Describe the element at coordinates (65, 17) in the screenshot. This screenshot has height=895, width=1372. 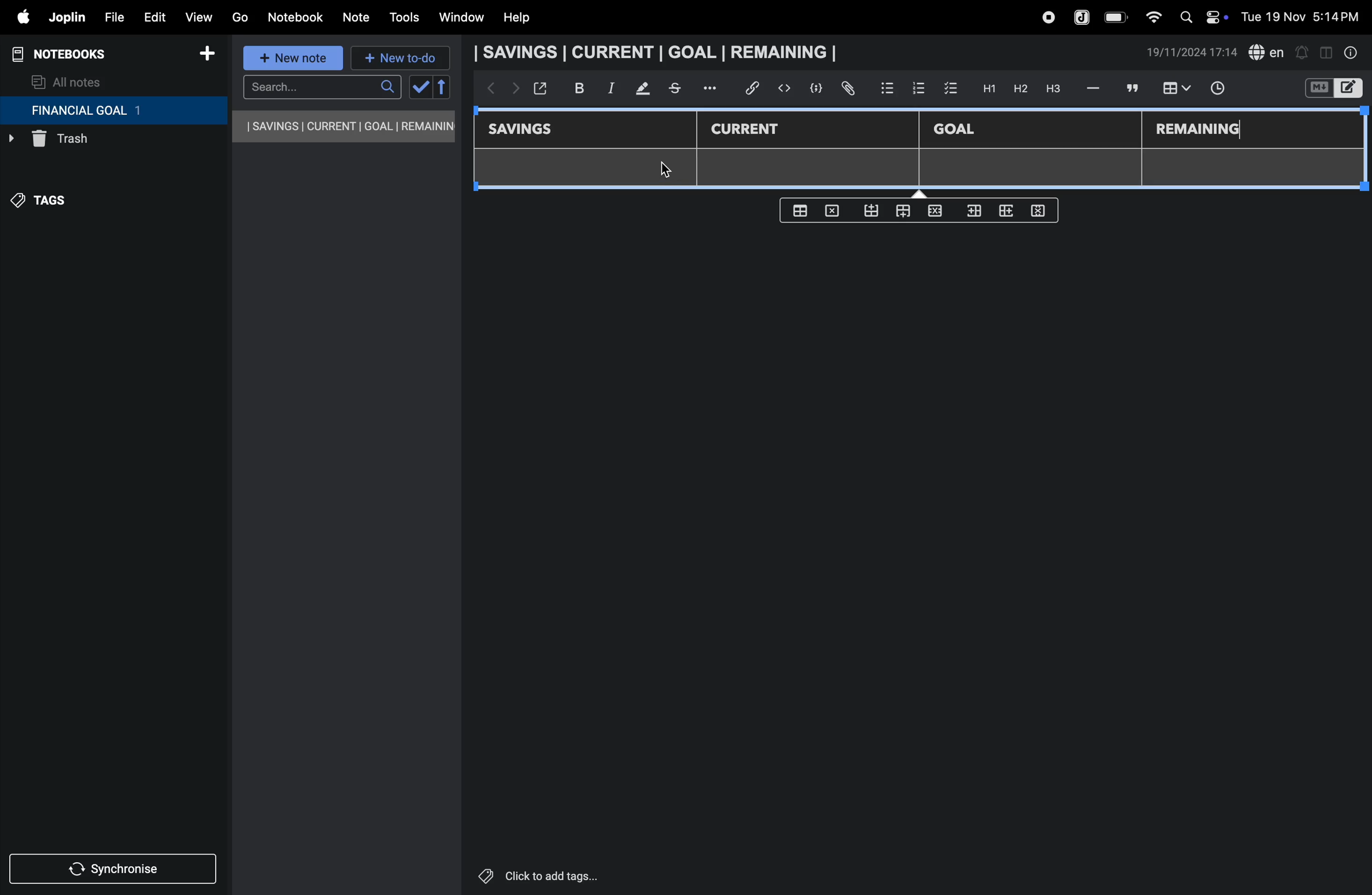
I see `joplin menu` at that location.